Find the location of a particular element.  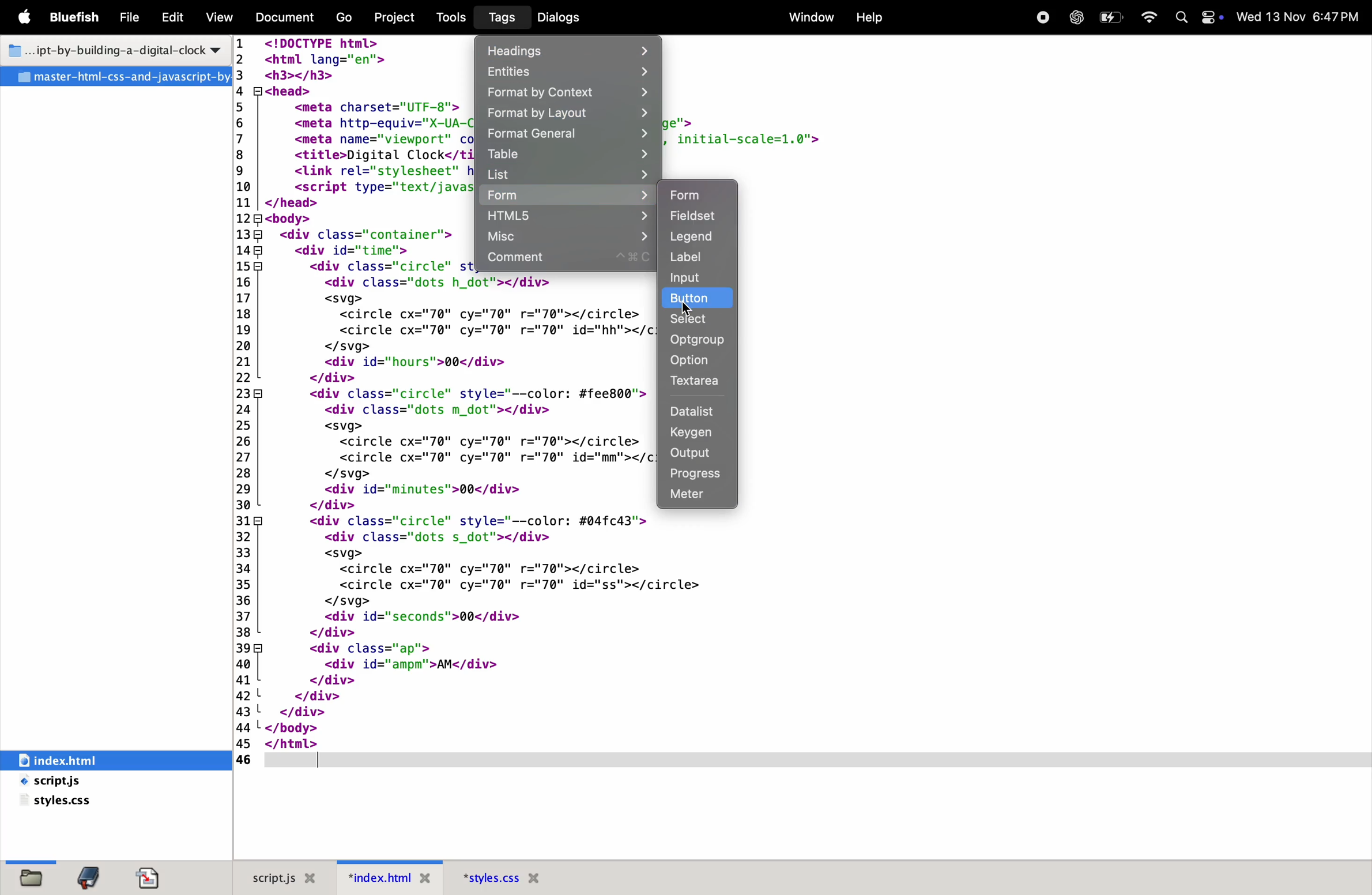

chatGpt is located at coordinates (1076, 16).